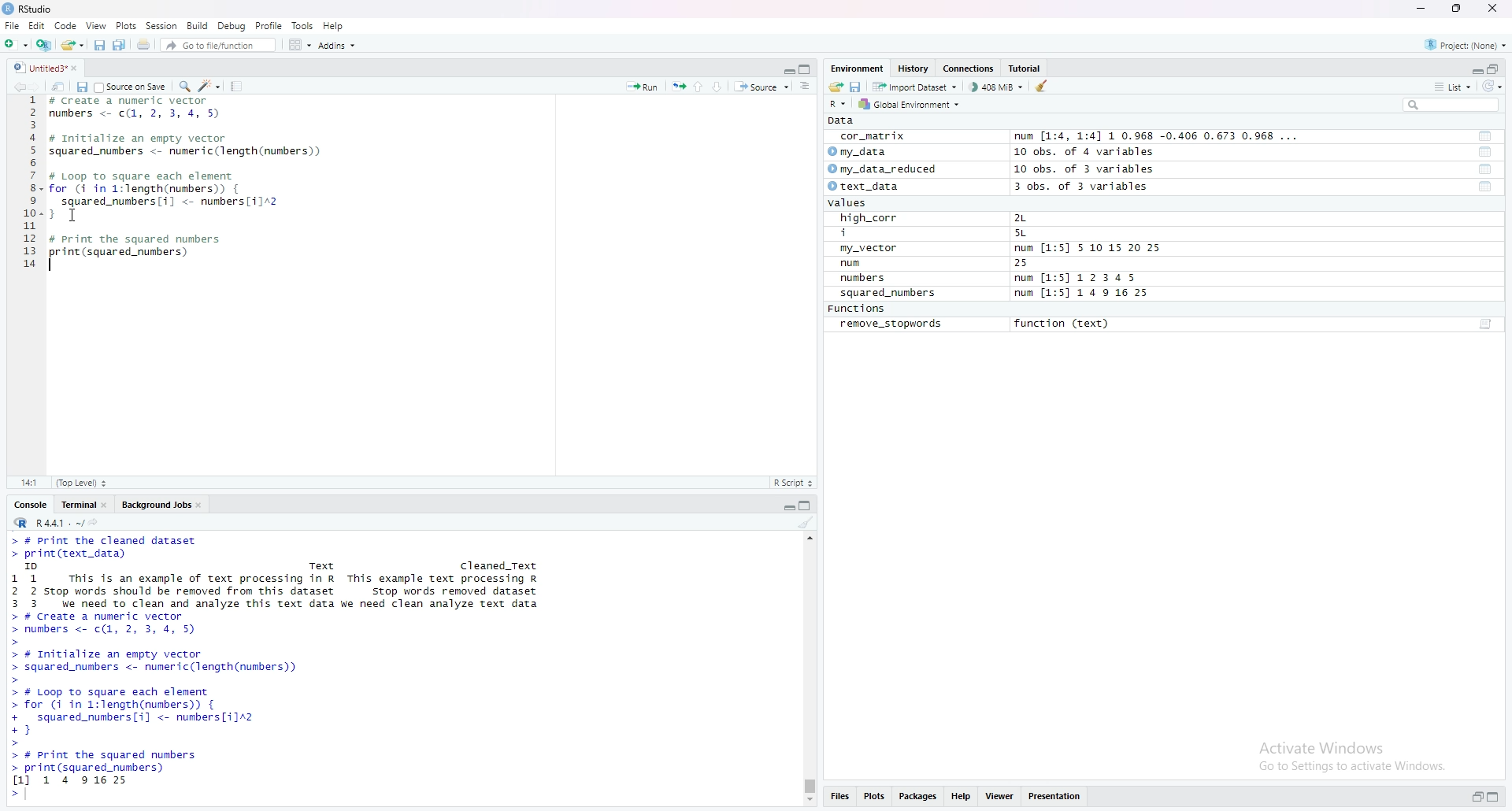 Image resolution: width=1512 pixels, height=811 pixels. Describe the element at coordinates (161, 25) in the screenshot. I see `Session` at that location.